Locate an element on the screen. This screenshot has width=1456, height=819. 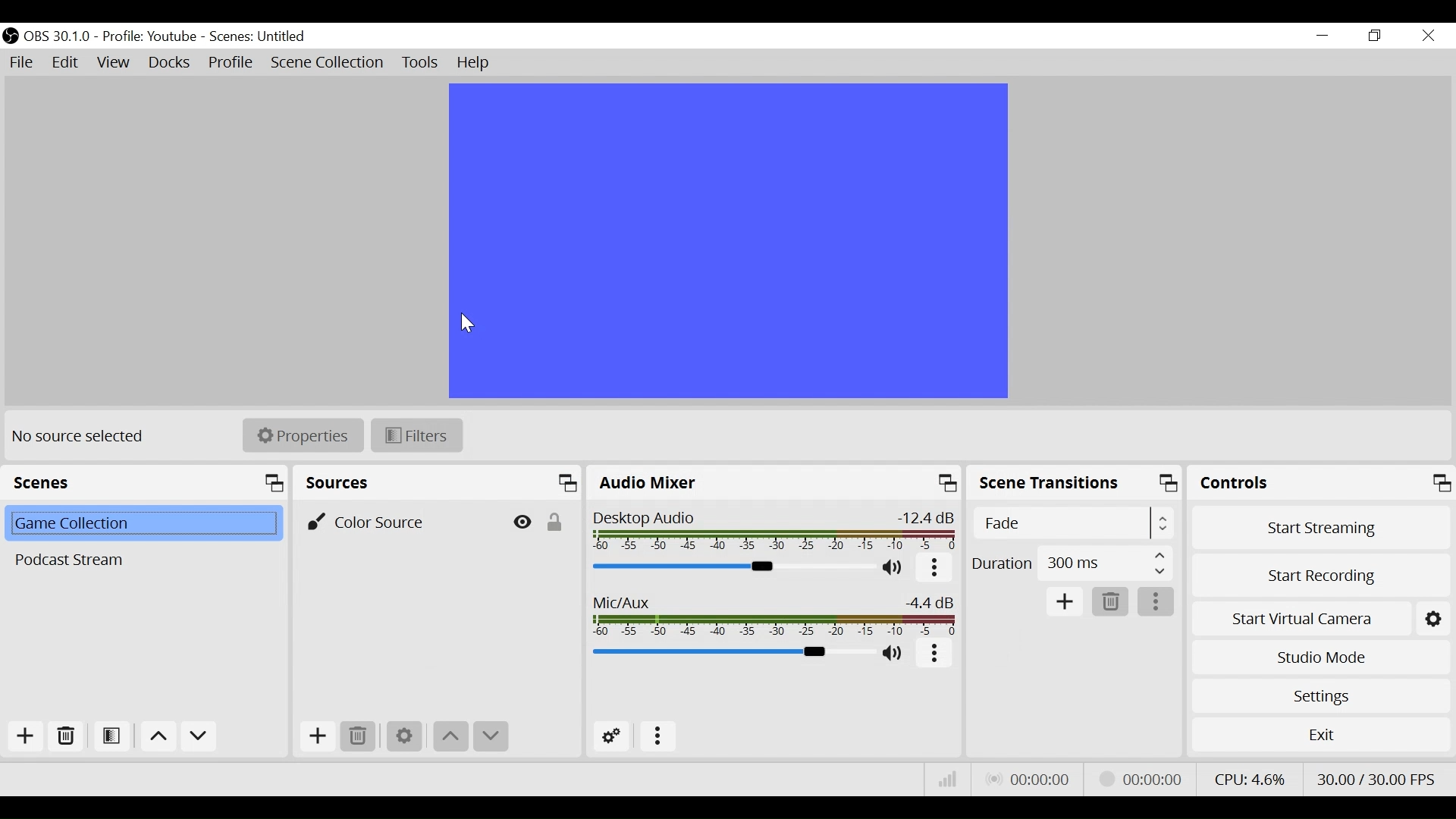
settings is located at coordinates (1436, 617).